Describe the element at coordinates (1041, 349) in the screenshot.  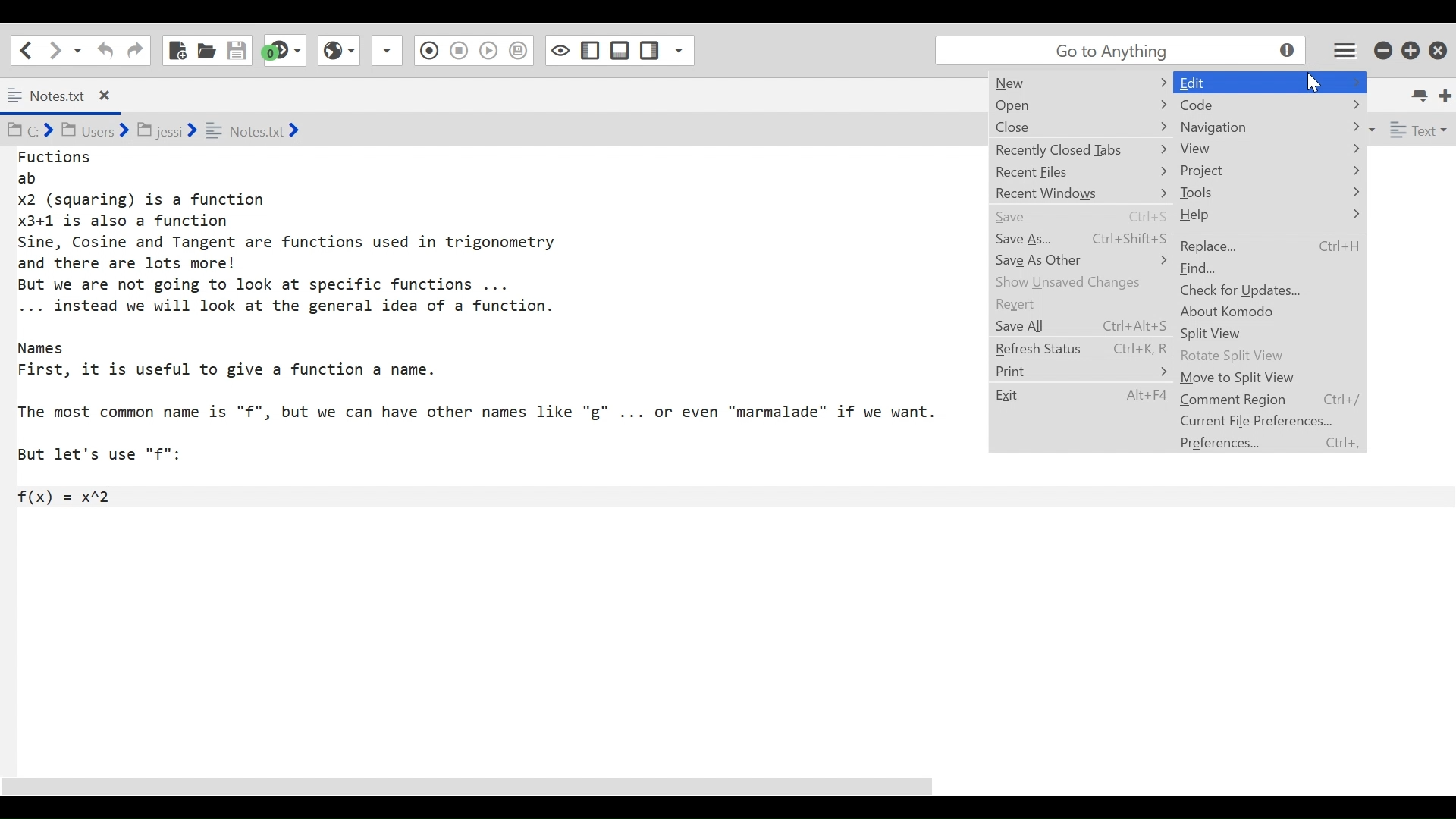
I see `Refresh status` at that location.